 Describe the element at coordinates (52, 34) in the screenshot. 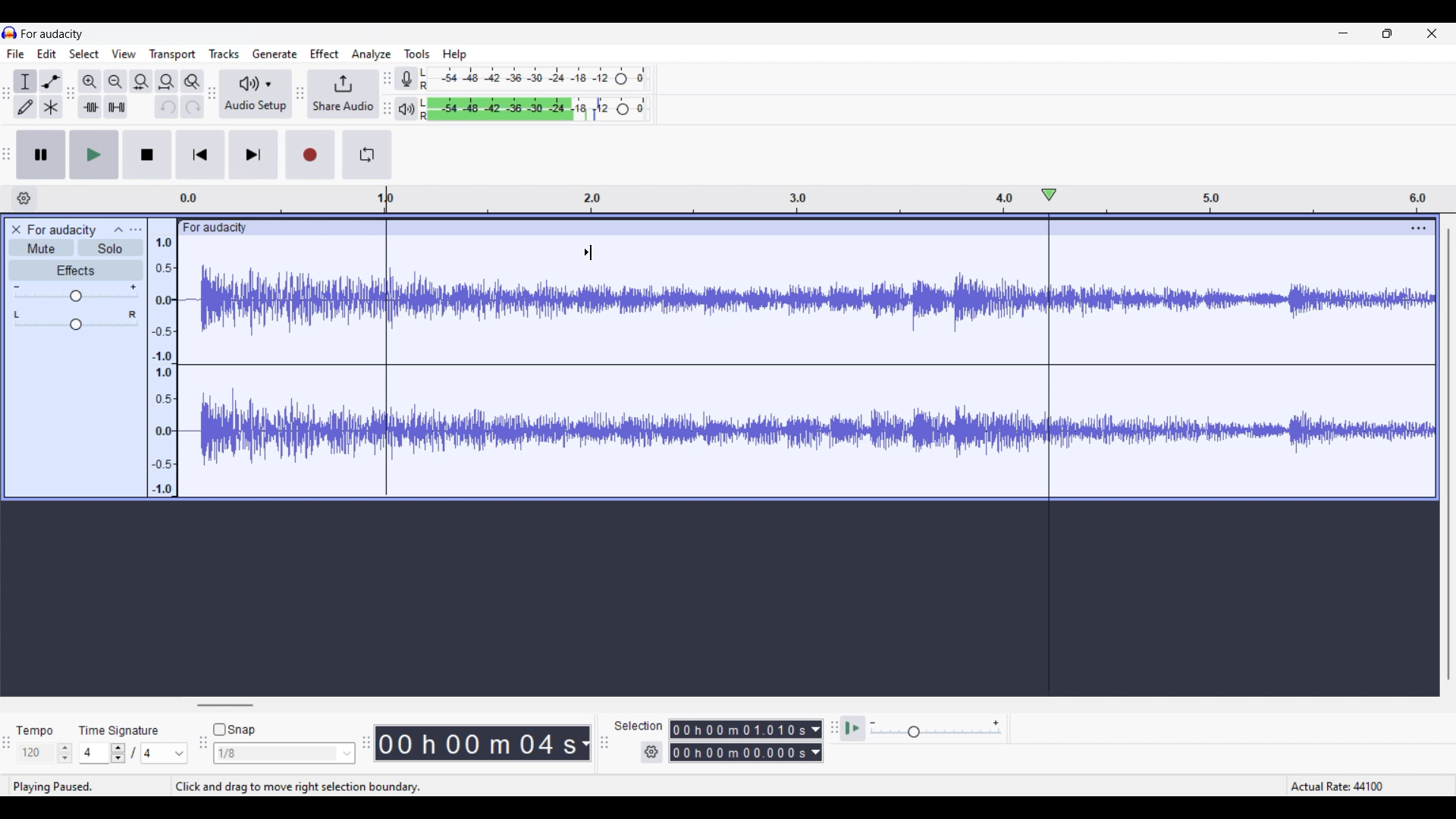

I see `for audacity` at that location.